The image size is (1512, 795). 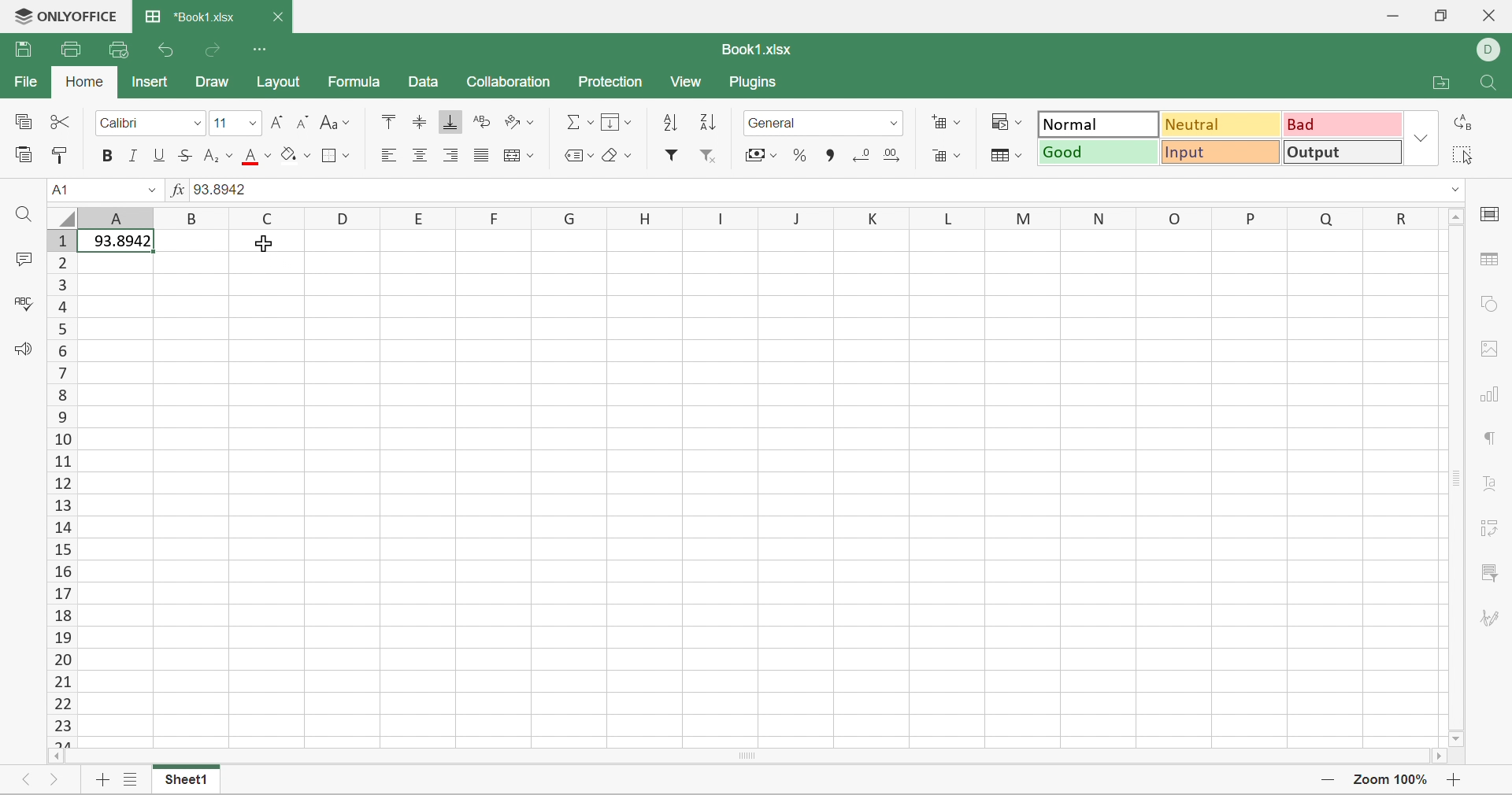 What do you see at coordinates (386, 120) in the screenshot?
I see `Align Top` at bounding box center [386, 120].